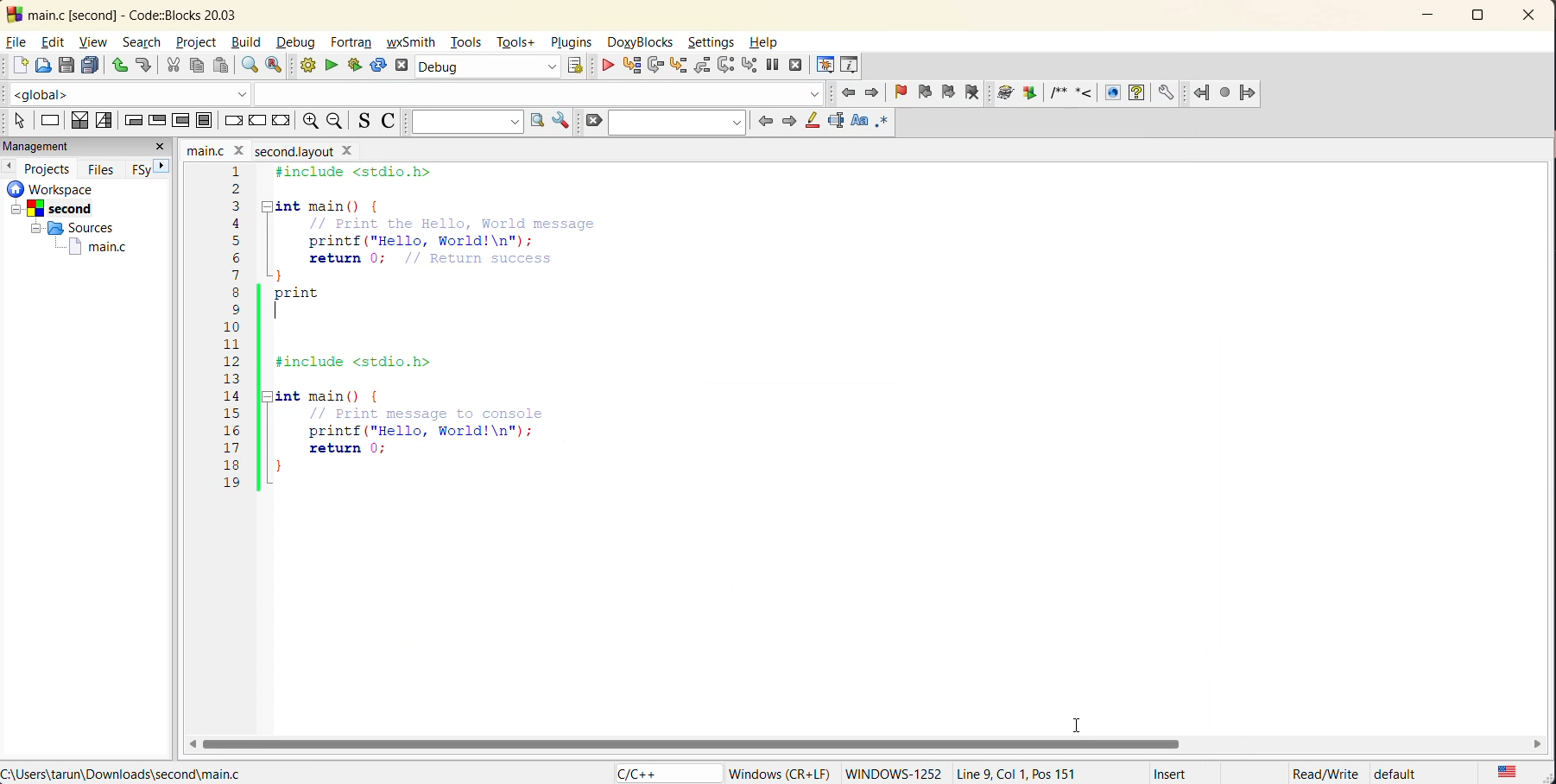 Image resolution: width=1556 pixels, height=784 pixels. I want to click on next, so click(787, 121).